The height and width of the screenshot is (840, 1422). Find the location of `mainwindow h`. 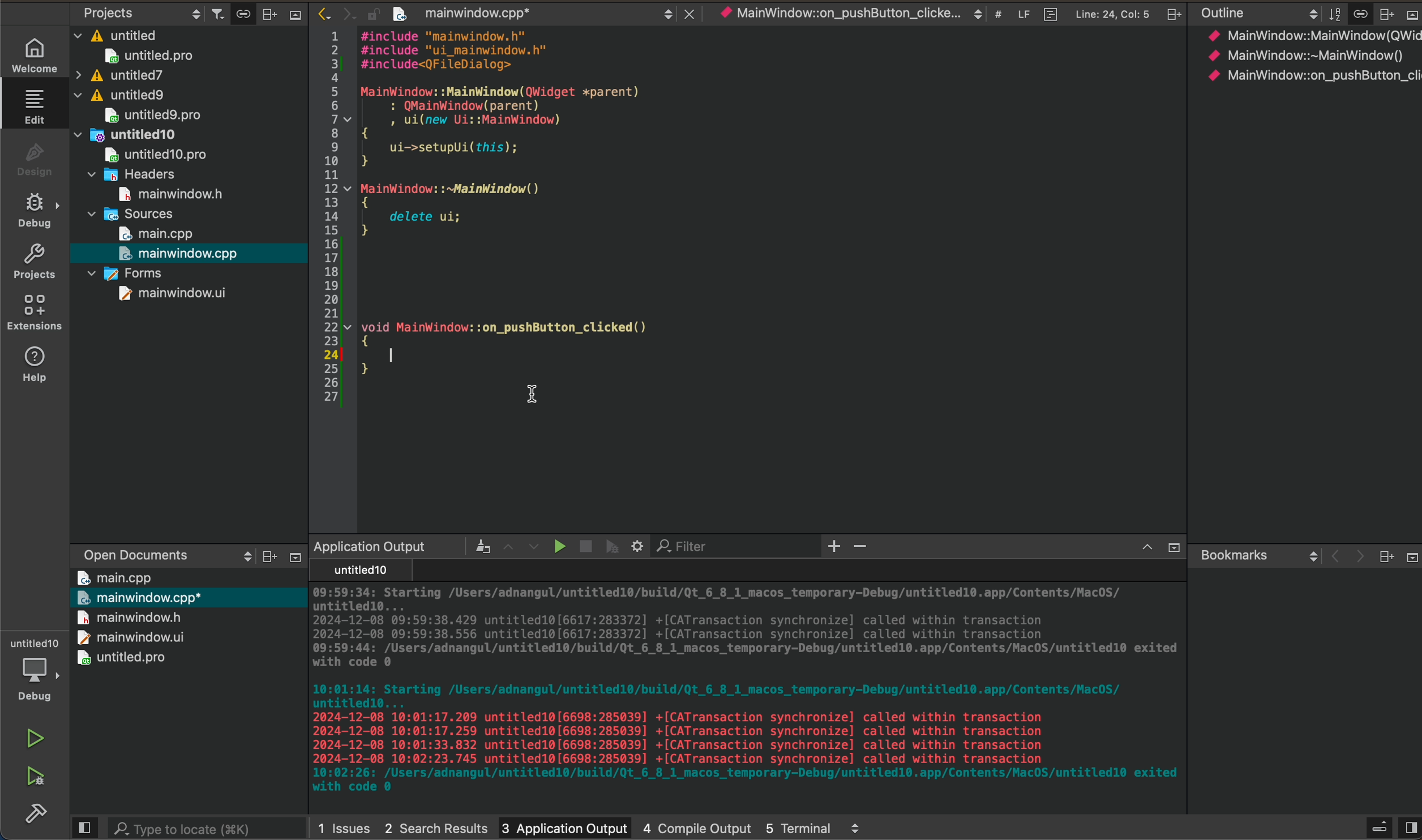

mainwindow h is located at coordinates (173, 192).